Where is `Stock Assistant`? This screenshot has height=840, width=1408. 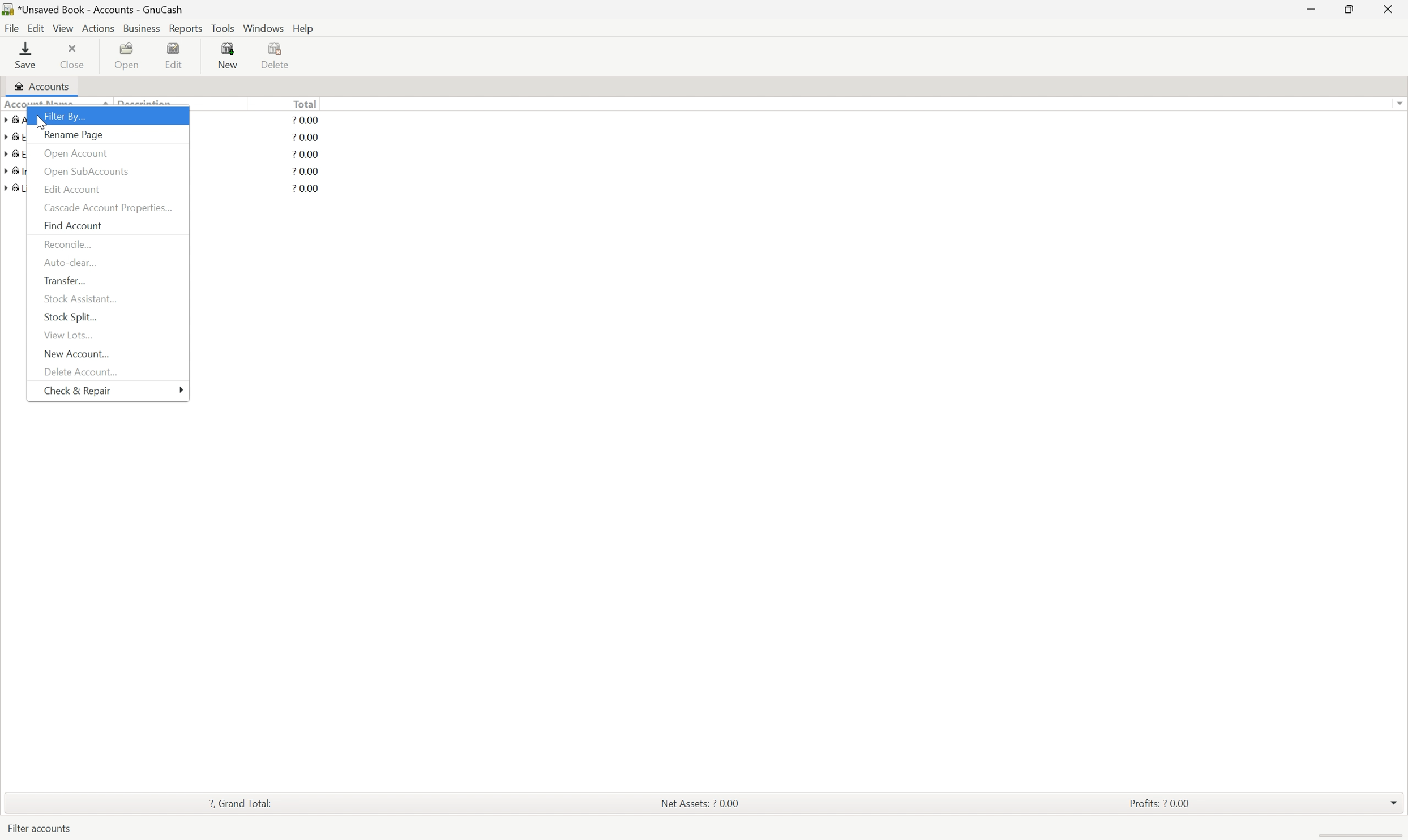 Stock Assistant is located at coordinates (84, 298).